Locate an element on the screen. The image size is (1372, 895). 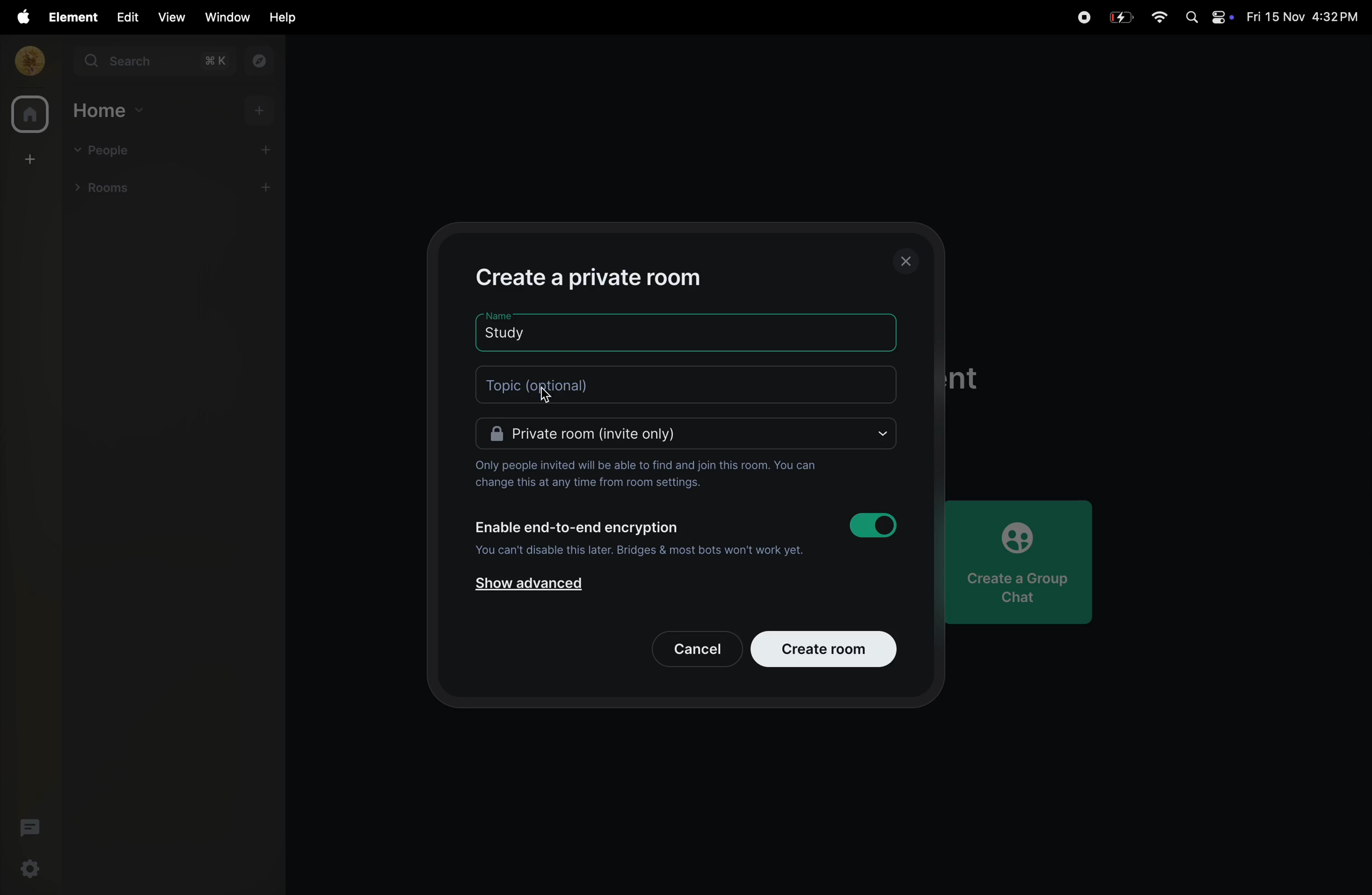
window is located at coordinates (224, 17).